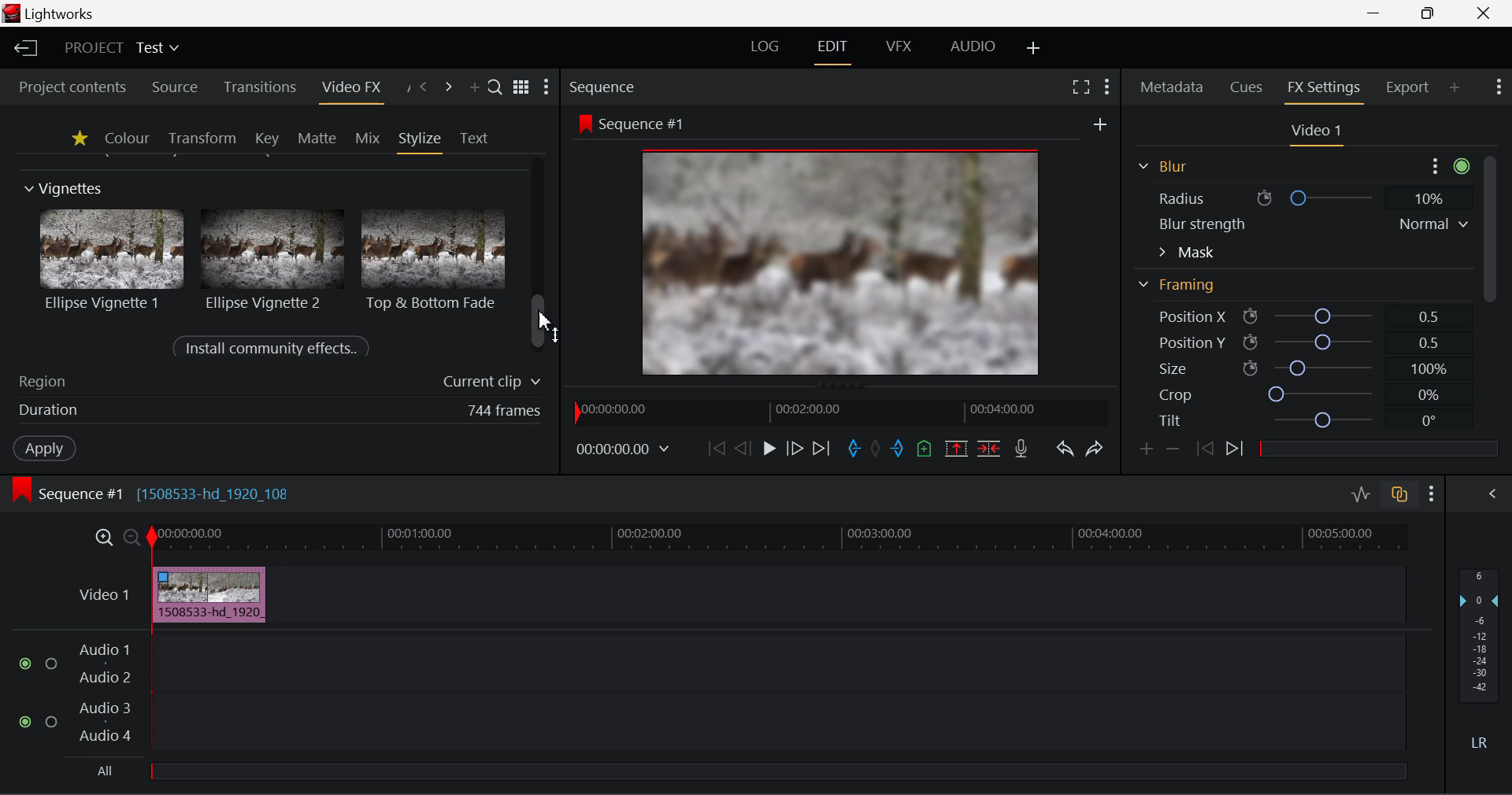 The width and height of the screenshot is (1512, 795). Describe the element at coordinates (899, 49) in the screenshot. I see `VFX Layout` at that location.